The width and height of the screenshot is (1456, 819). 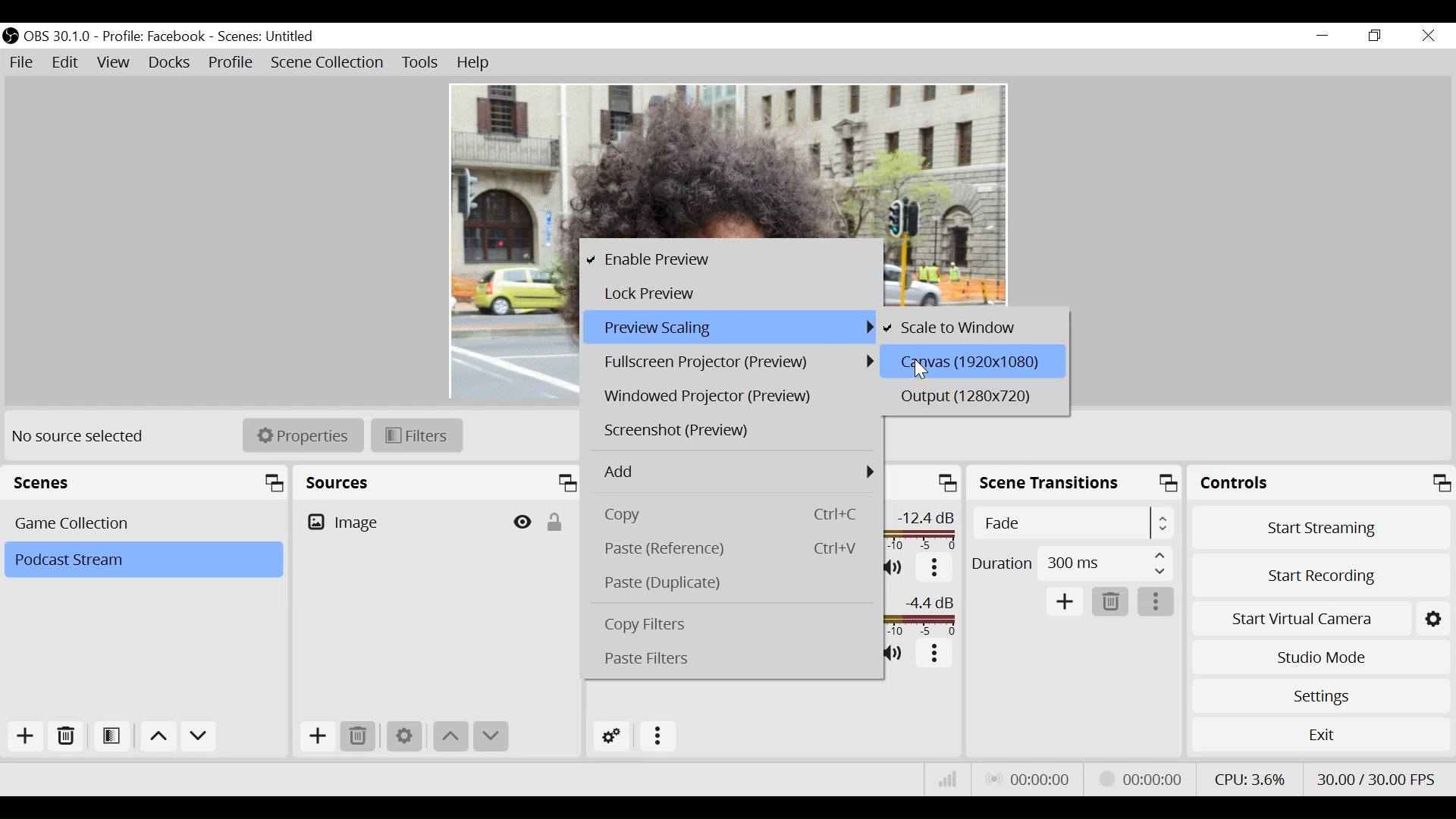 What do you see at coordinates (973, 326) in the screenshot?
I see `Scale to Window` at bounding box center [973, 326].